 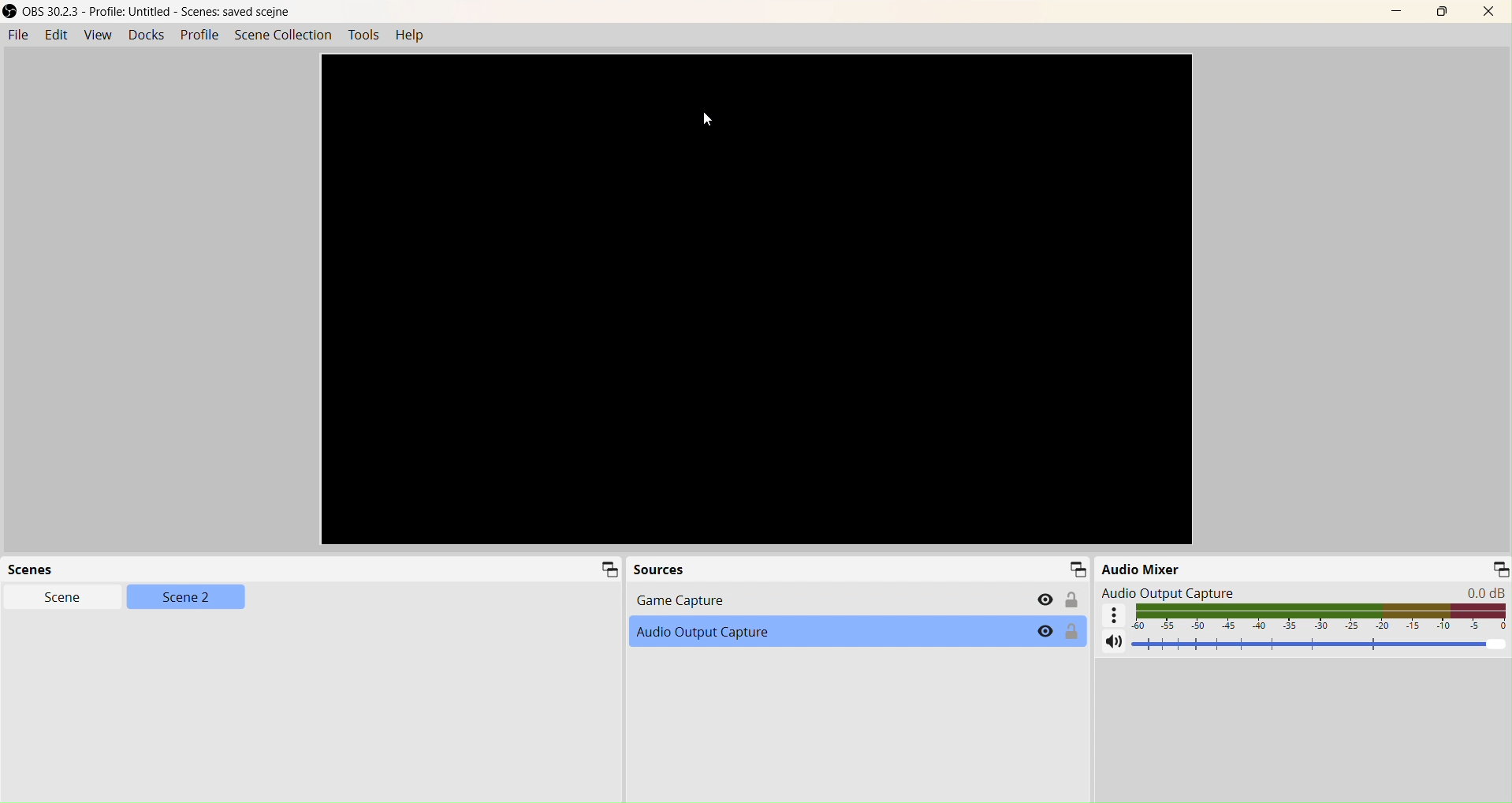 I want to click on View, so click(x=95, y=35).